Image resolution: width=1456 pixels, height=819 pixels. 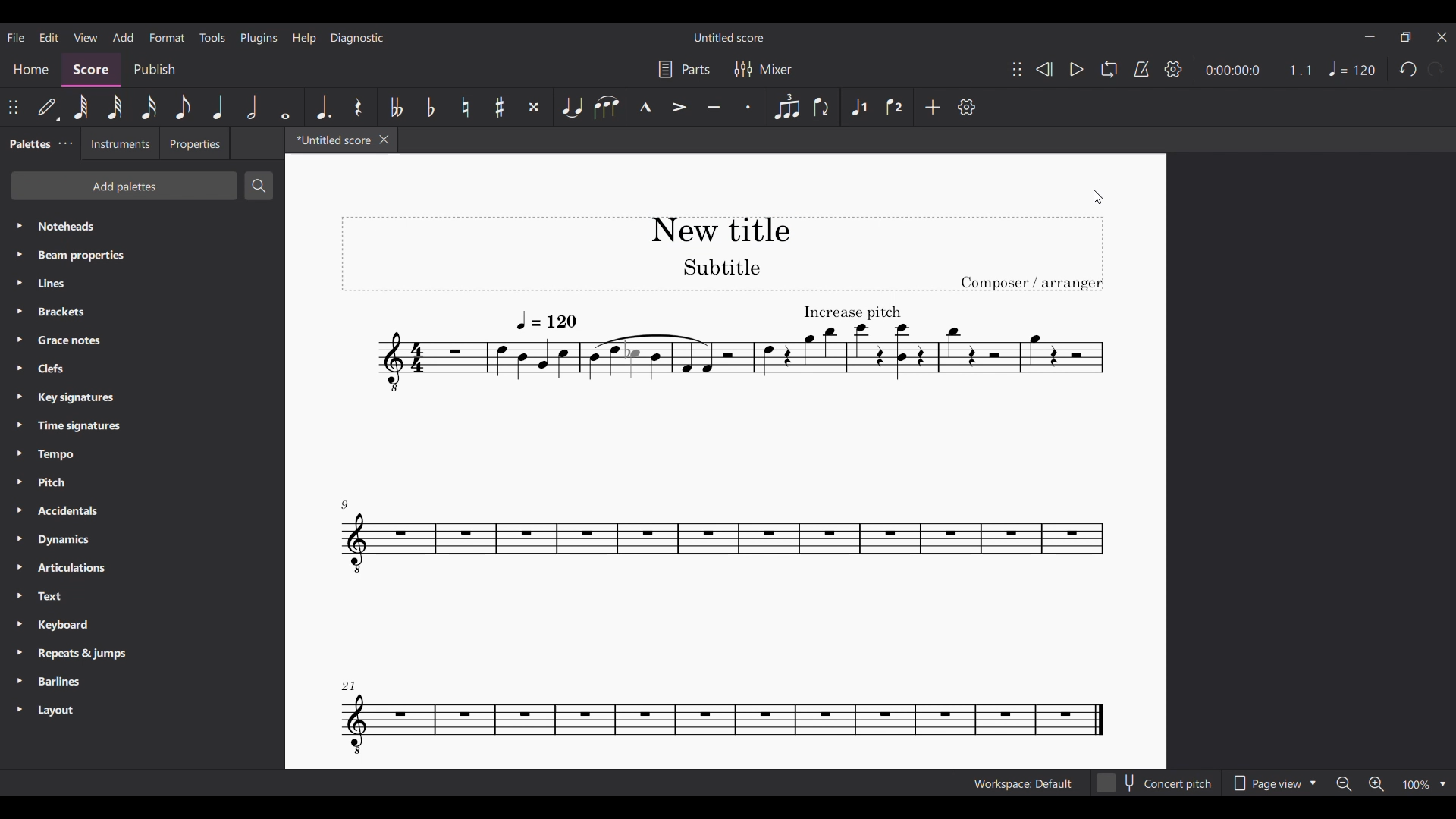 What do you see at coordinates (143, 596) in the screenshot?
I see `Text` at bounding box center [143, 596].